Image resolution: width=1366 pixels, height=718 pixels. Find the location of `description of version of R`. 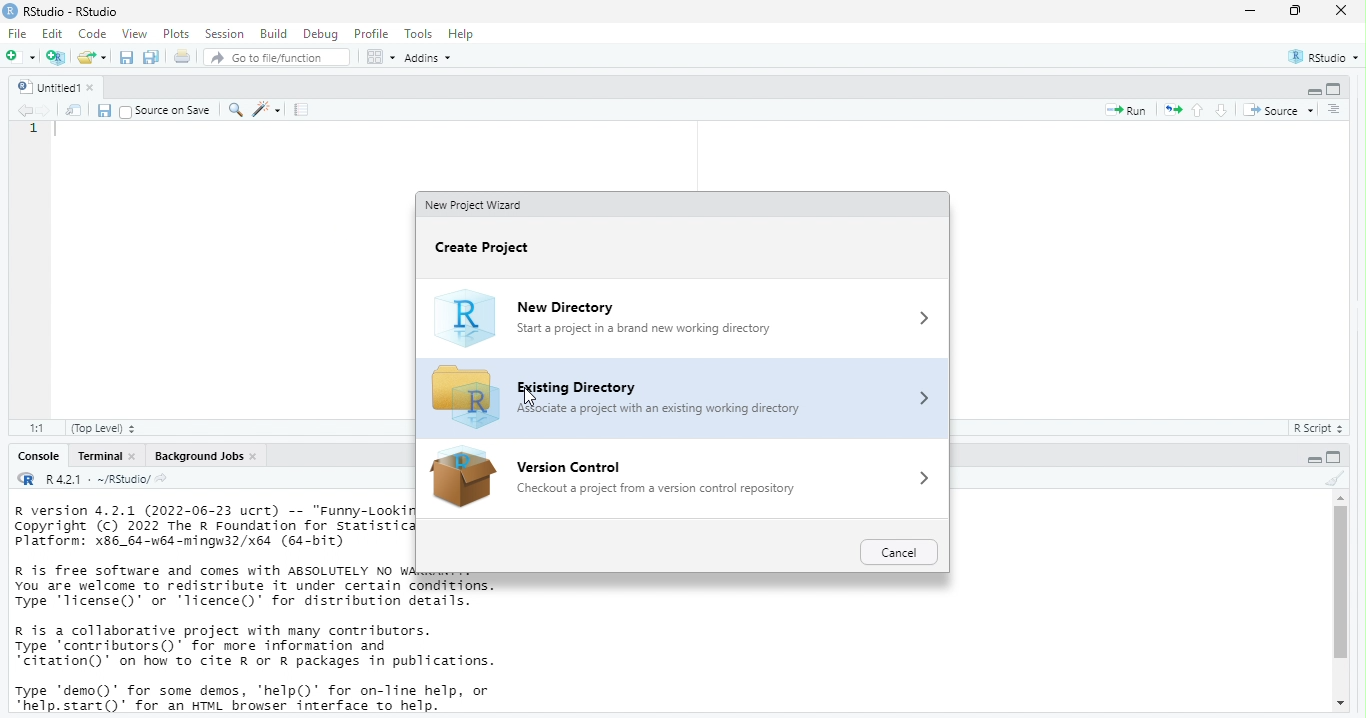

description of version of R is located at coordinates (207, 525).